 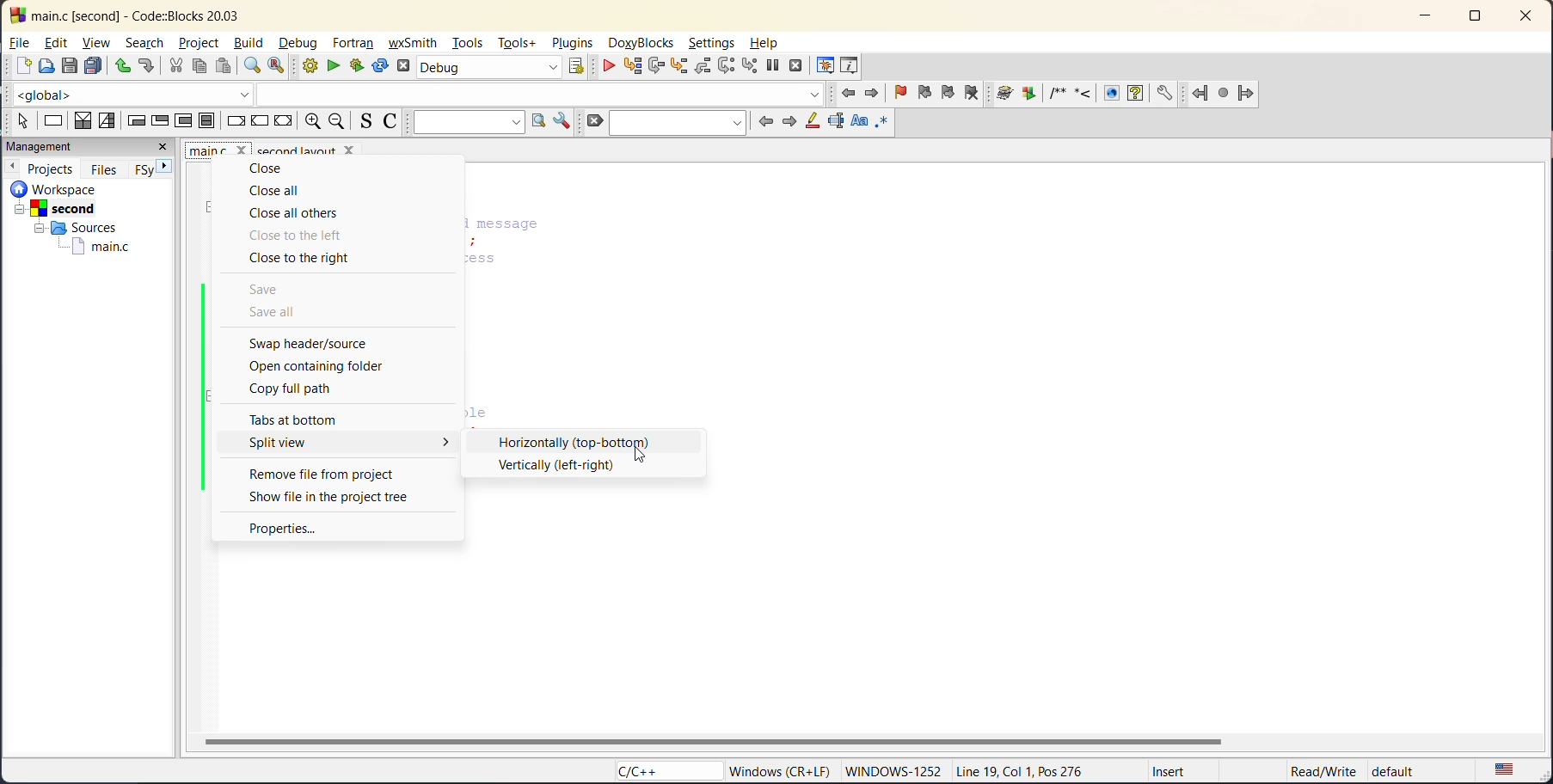 I want to click on close, so click(x=272, y=169).